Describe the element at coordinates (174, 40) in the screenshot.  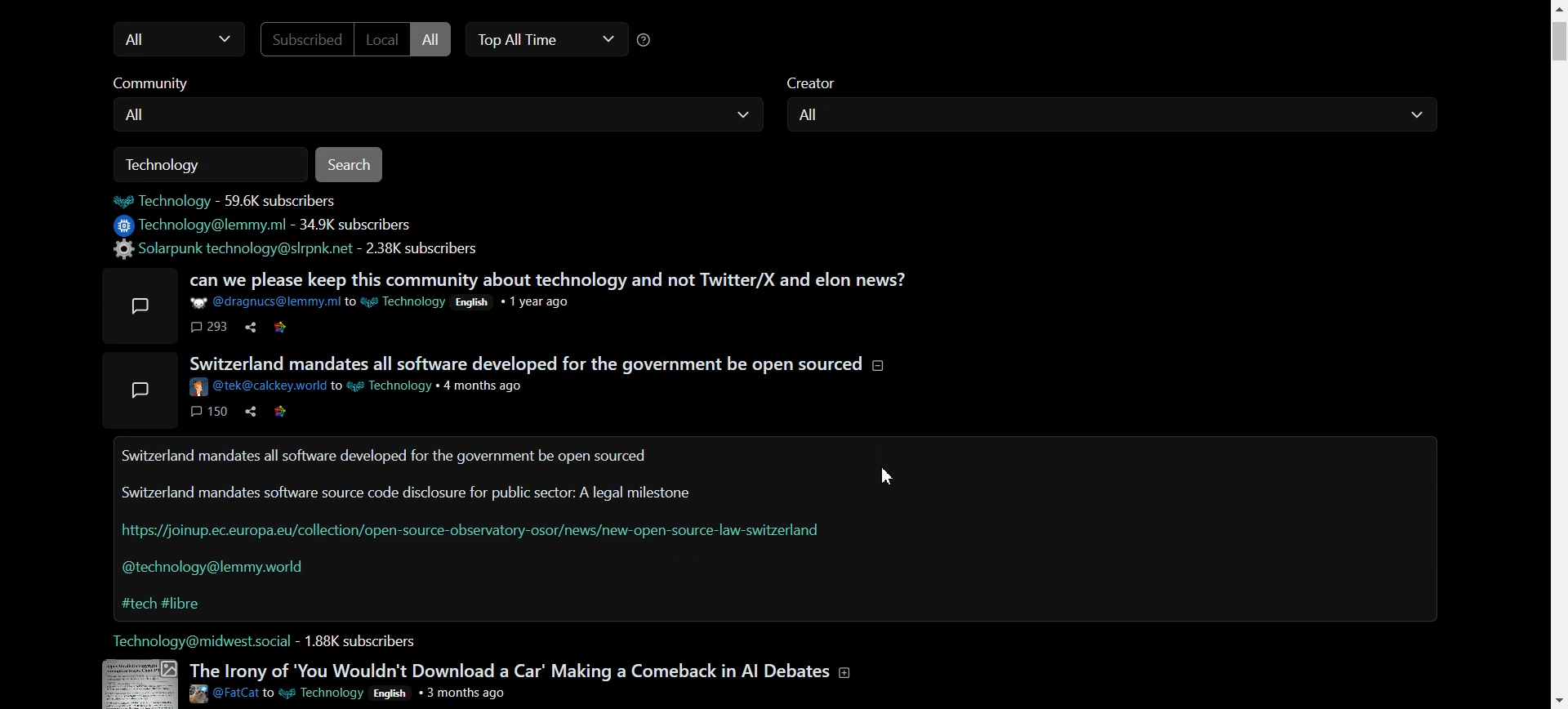
I see `All` at that location.